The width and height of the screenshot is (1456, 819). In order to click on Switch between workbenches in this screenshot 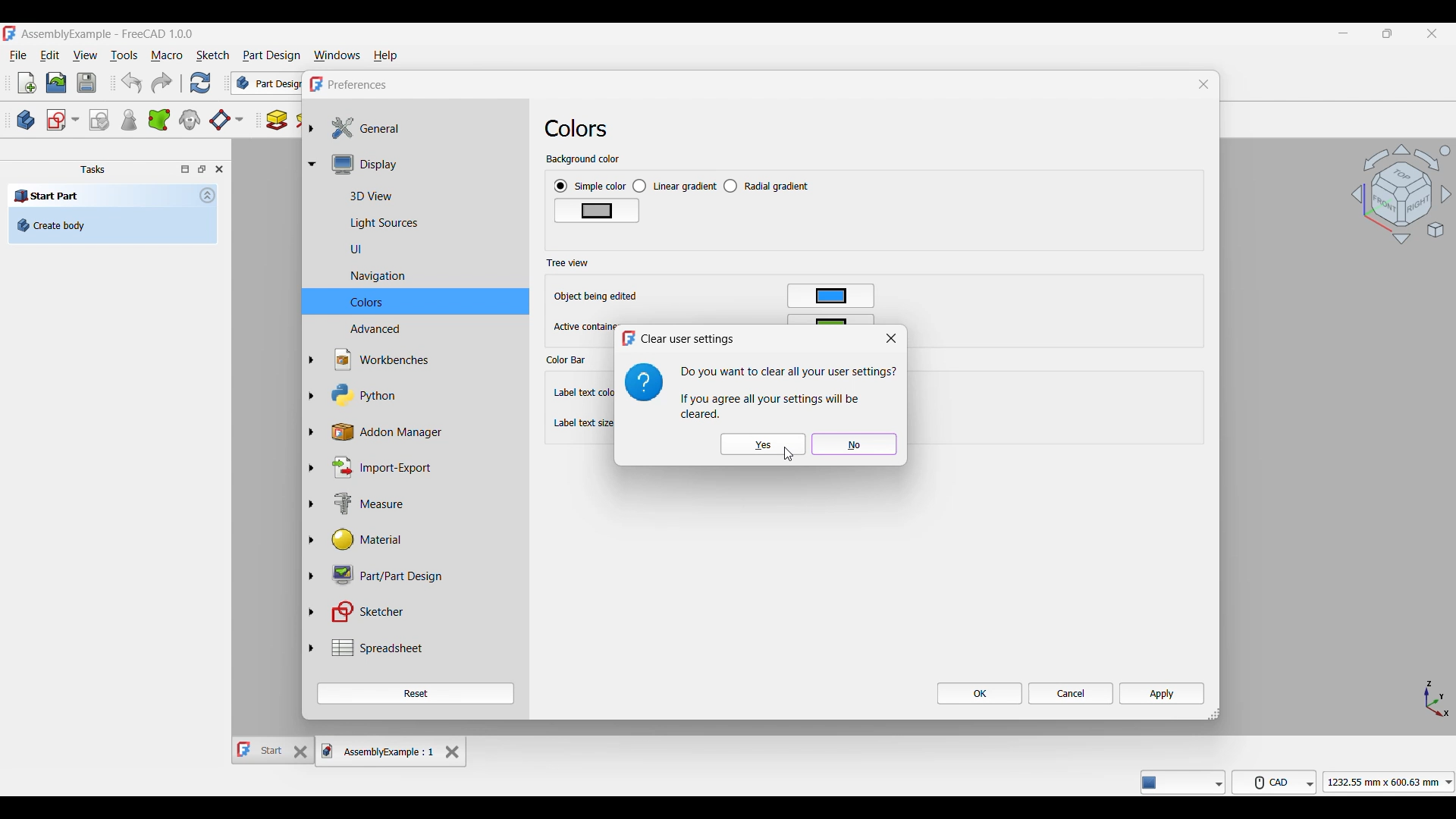, I will do `click(266, 83)`.